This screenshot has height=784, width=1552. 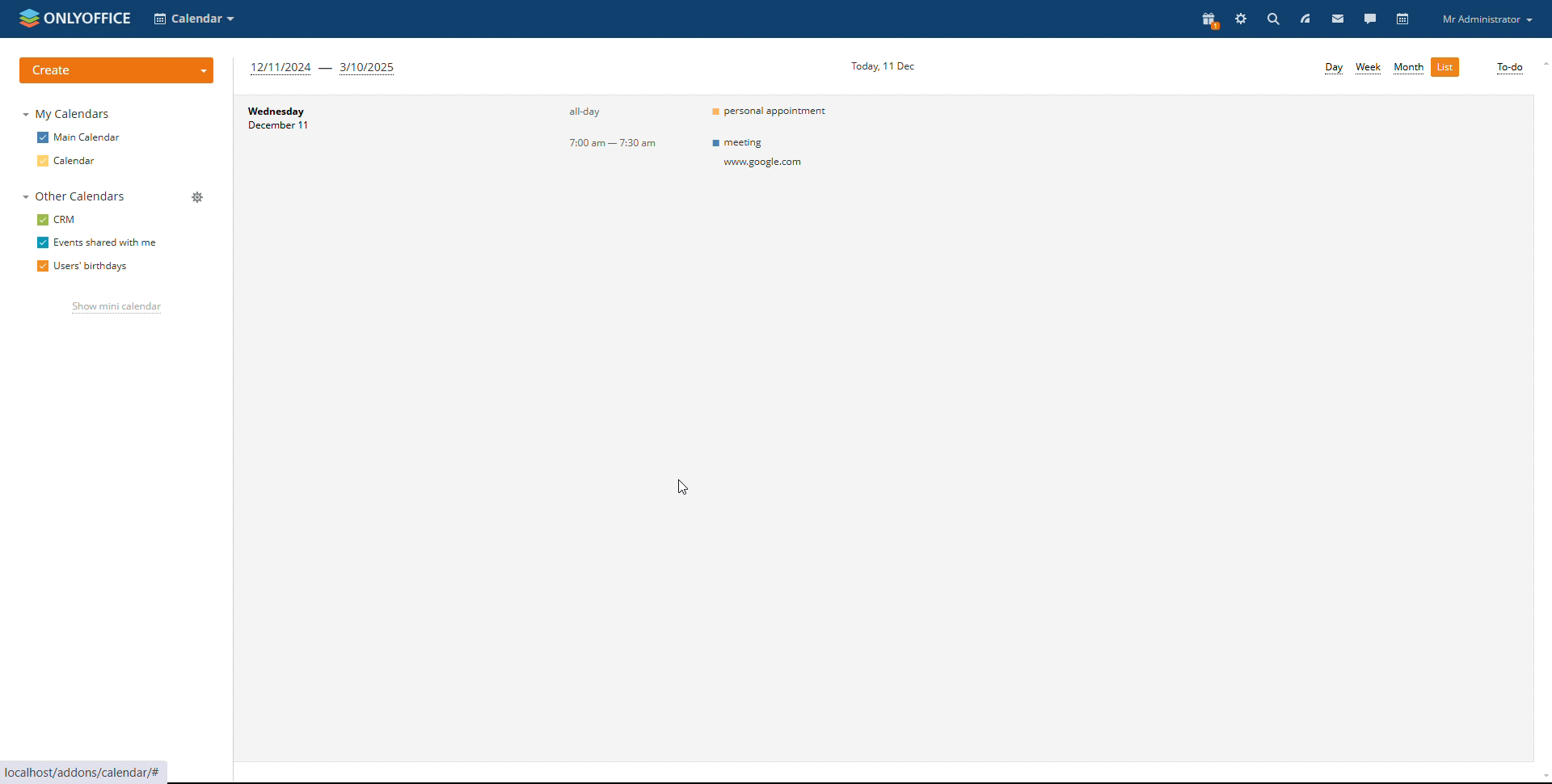 I want to click on day and date, so click(x=314, y=122).